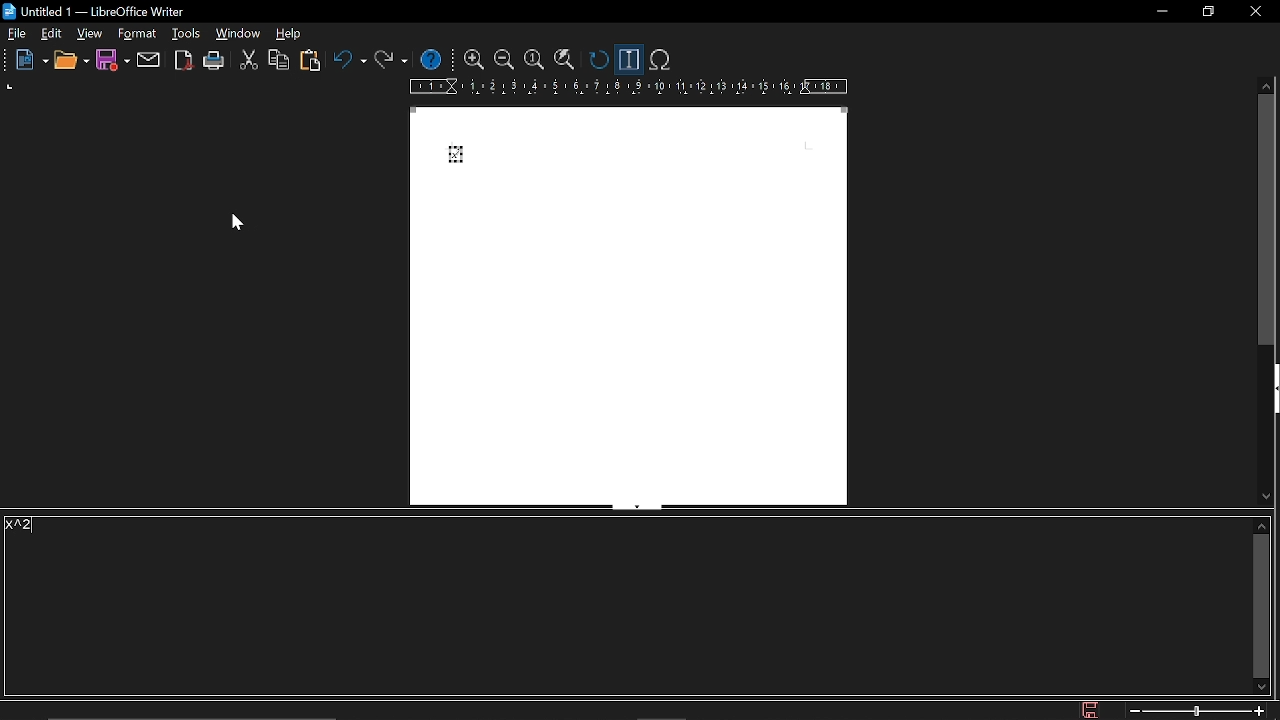  What do you see at coordinates (51, 34) in the screenshot?
I see `edit` at bounding box center [51, 34].